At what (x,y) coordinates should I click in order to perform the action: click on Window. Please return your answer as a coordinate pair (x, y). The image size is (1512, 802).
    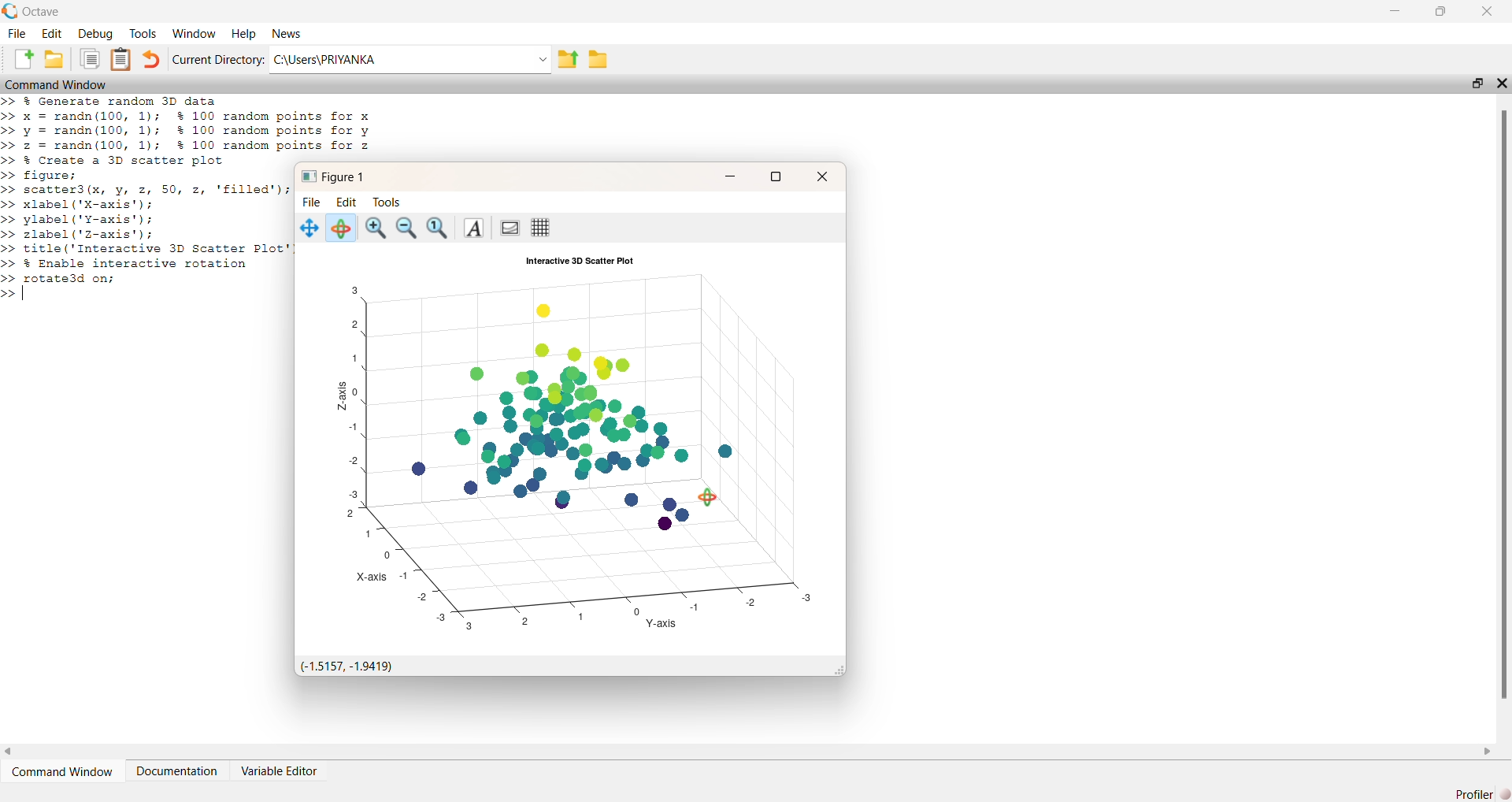
    Looking at the image, I should click on (196, 34).